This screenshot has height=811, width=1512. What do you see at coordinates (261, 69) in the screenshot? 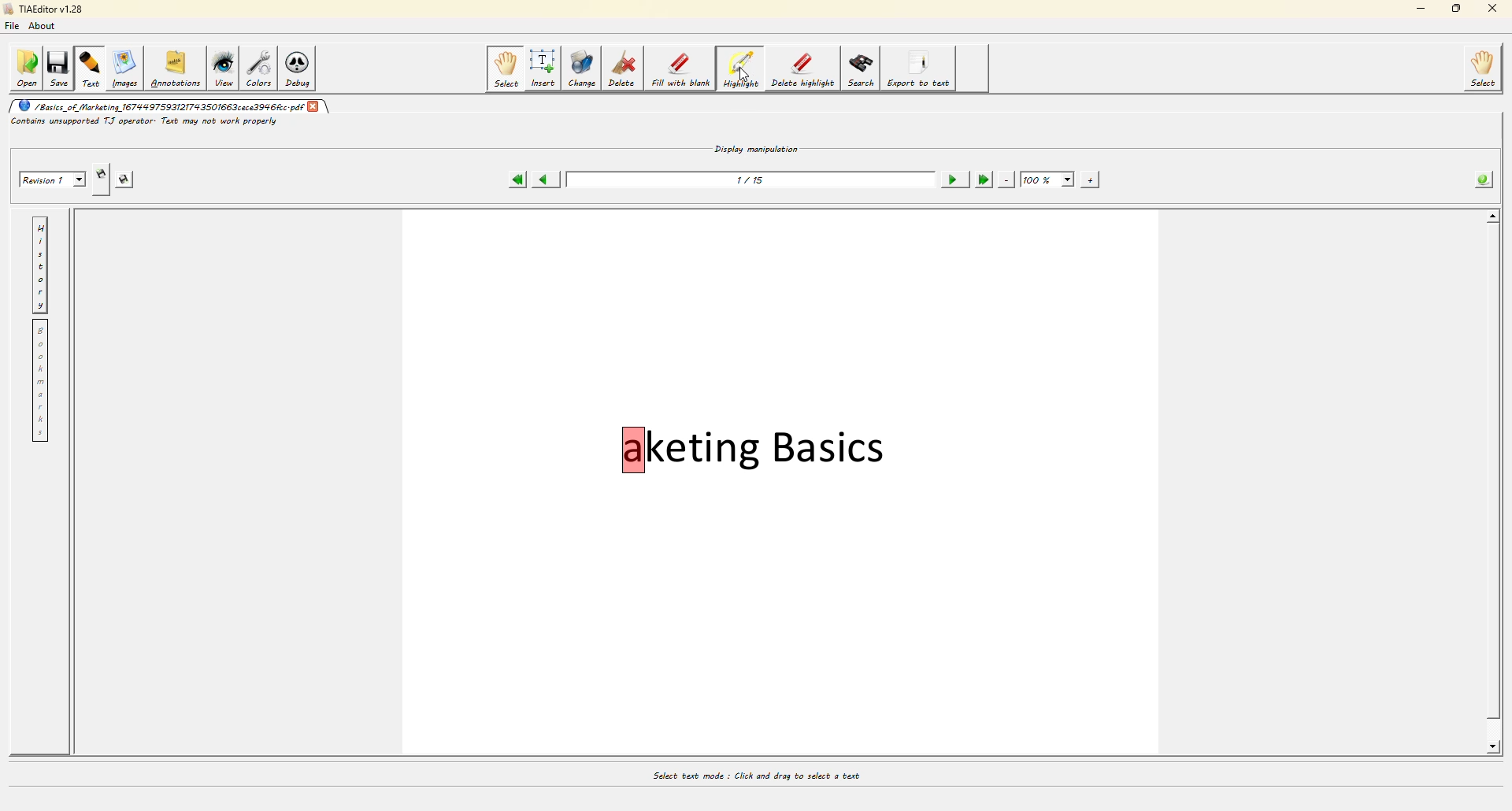
I see `colors` at bounding box center [261, 69].